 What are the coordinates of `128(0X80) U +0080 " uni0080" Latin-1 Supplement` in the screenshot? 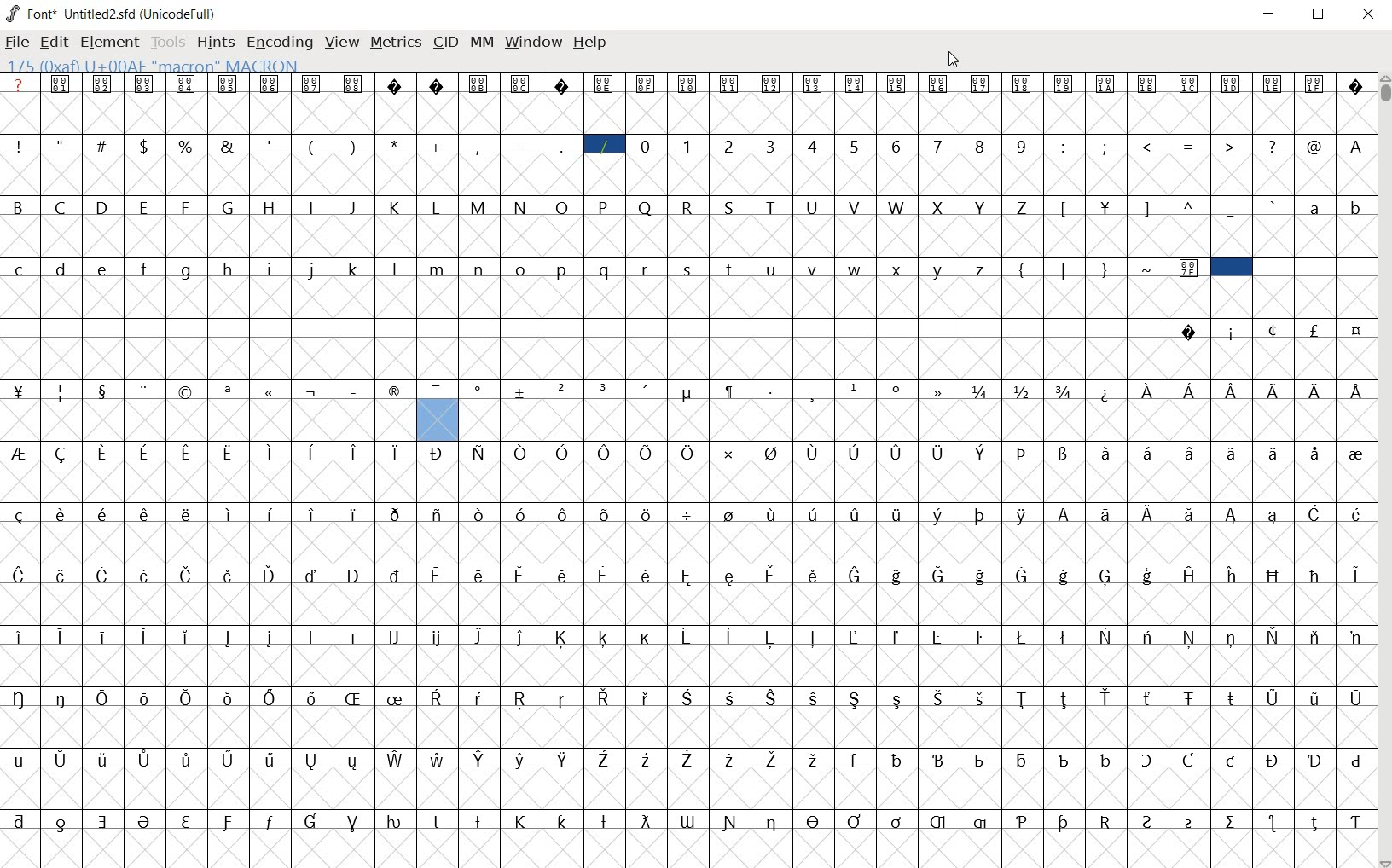 It's located at (192, 64).